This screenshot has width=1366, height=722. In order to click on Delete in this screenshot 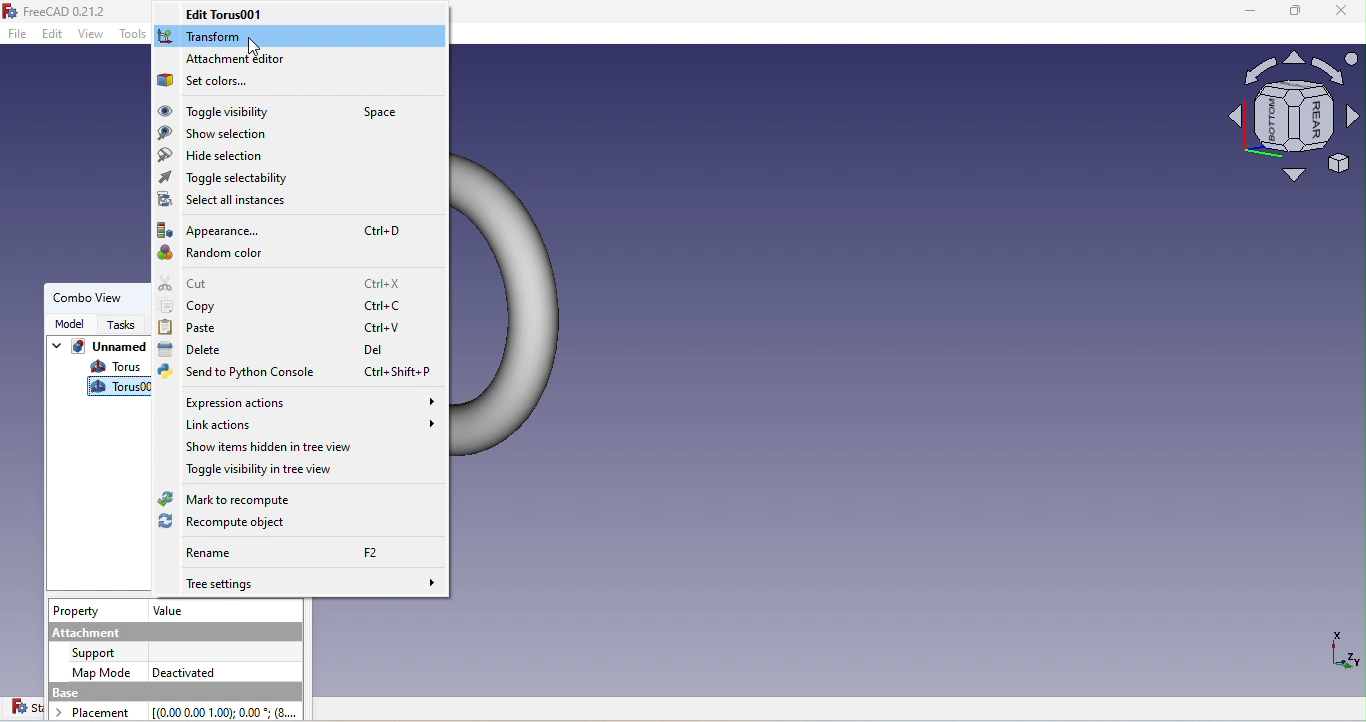, I will do `click(278, 348)`.